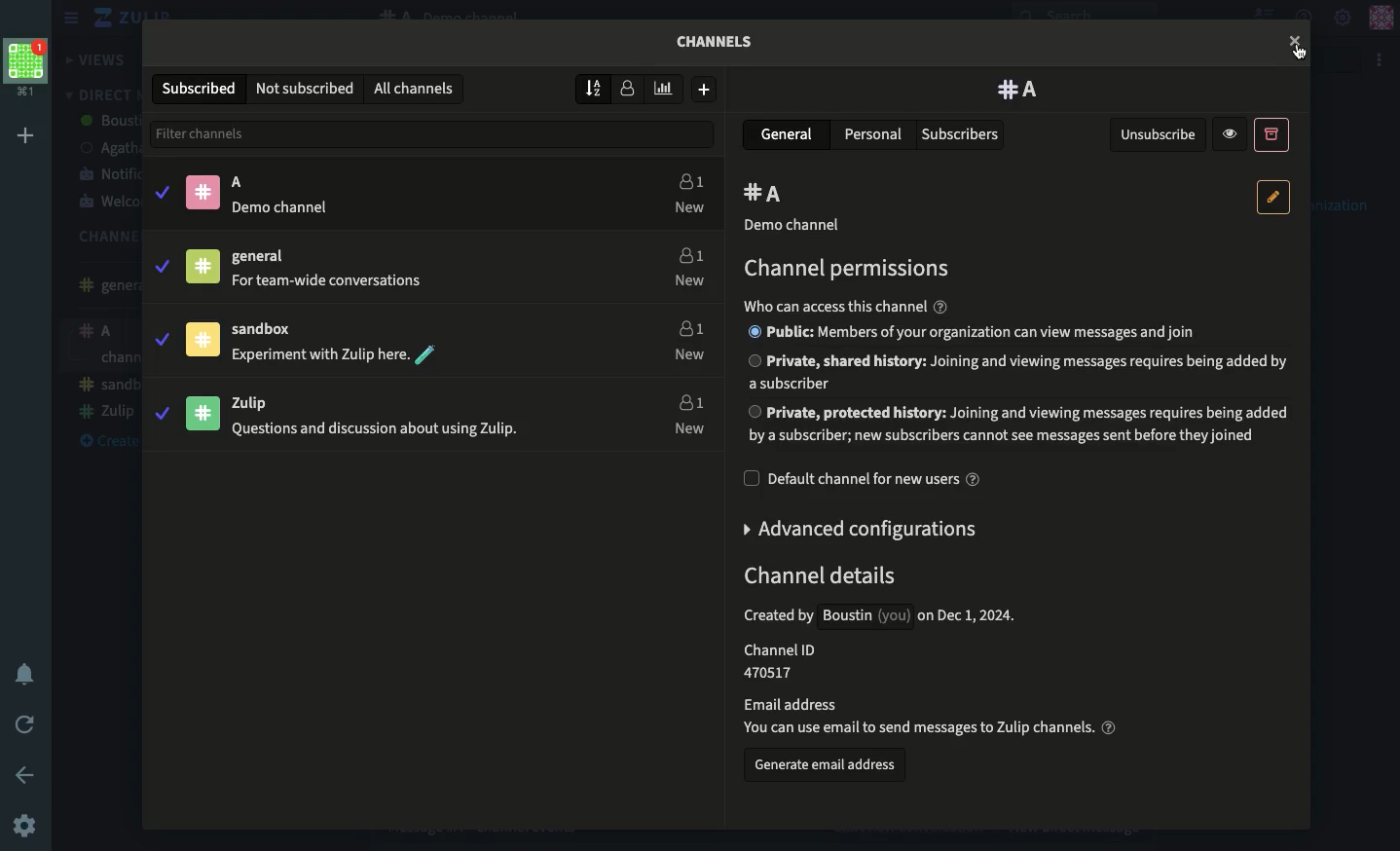  What do you see at coordinates (394, 265) in the screenshot?
I see `General` at bounding box center [394, 265].